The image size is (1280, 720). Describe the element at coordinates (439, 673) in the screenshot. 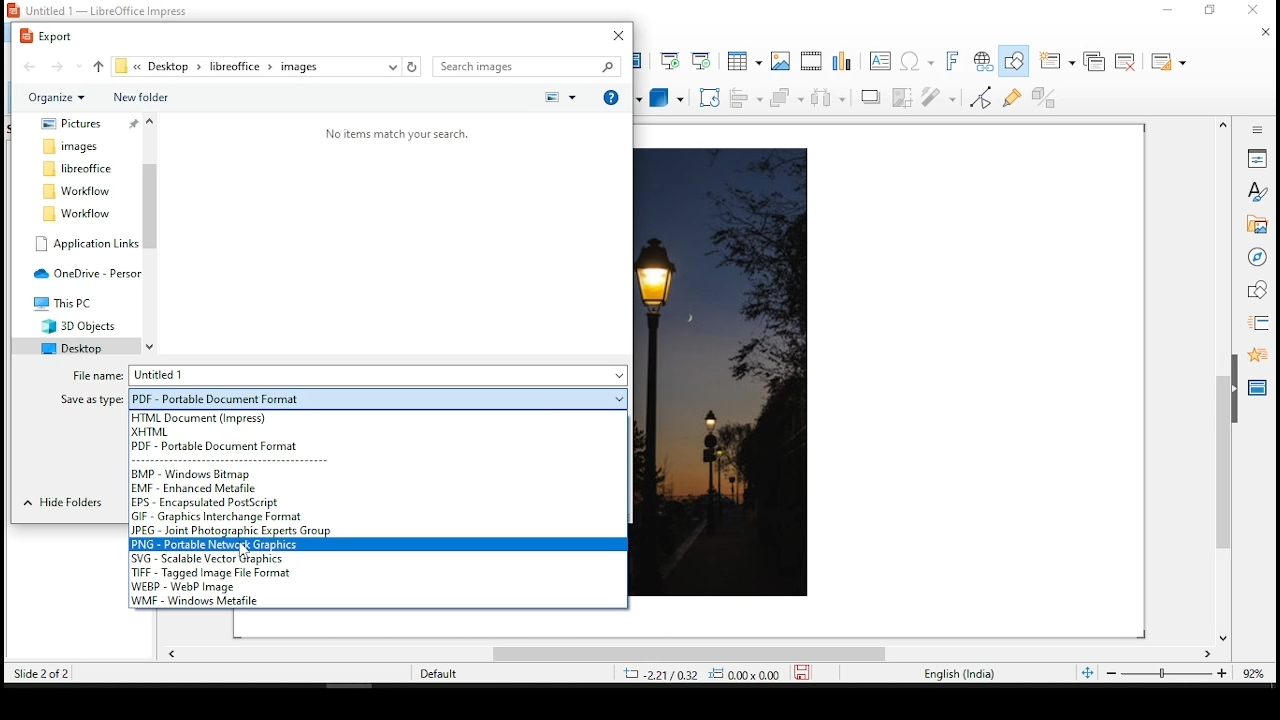

I see `Default` at that location.